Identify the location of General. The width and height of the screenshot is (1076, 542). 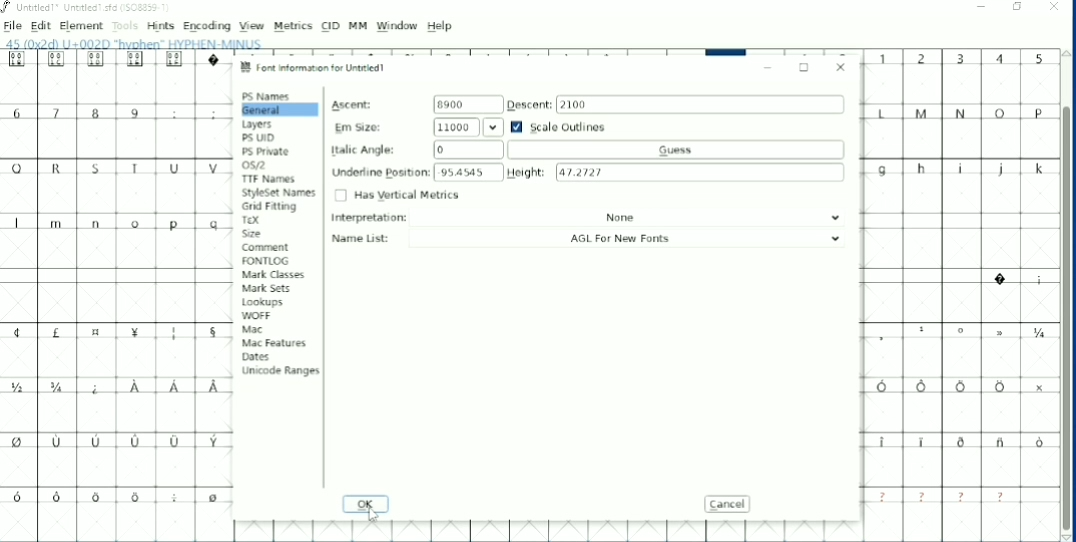
(278, 110).